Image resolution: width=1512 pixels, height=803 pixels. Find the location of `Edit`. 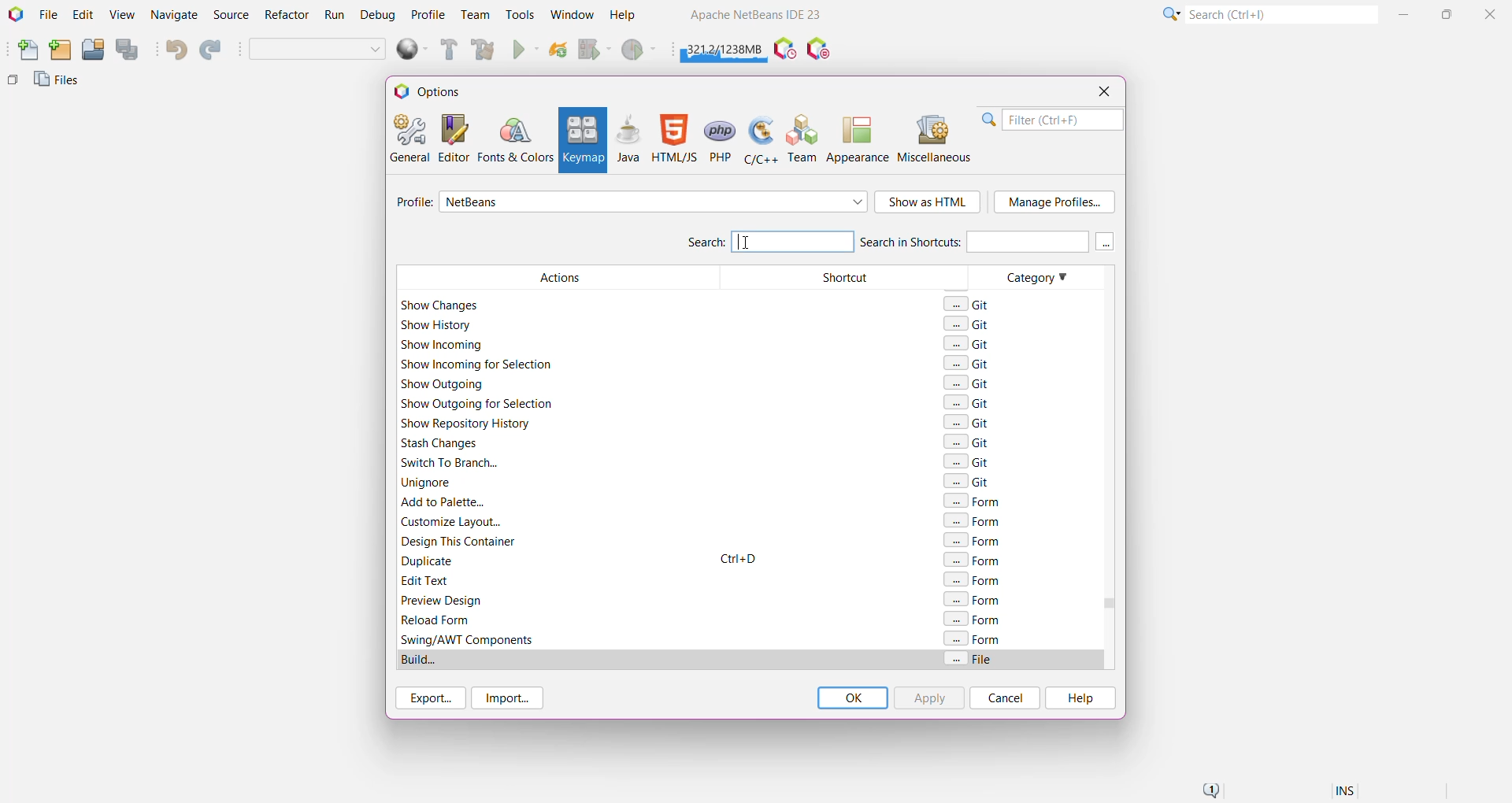

Edit is located at coordinates (83, 16).